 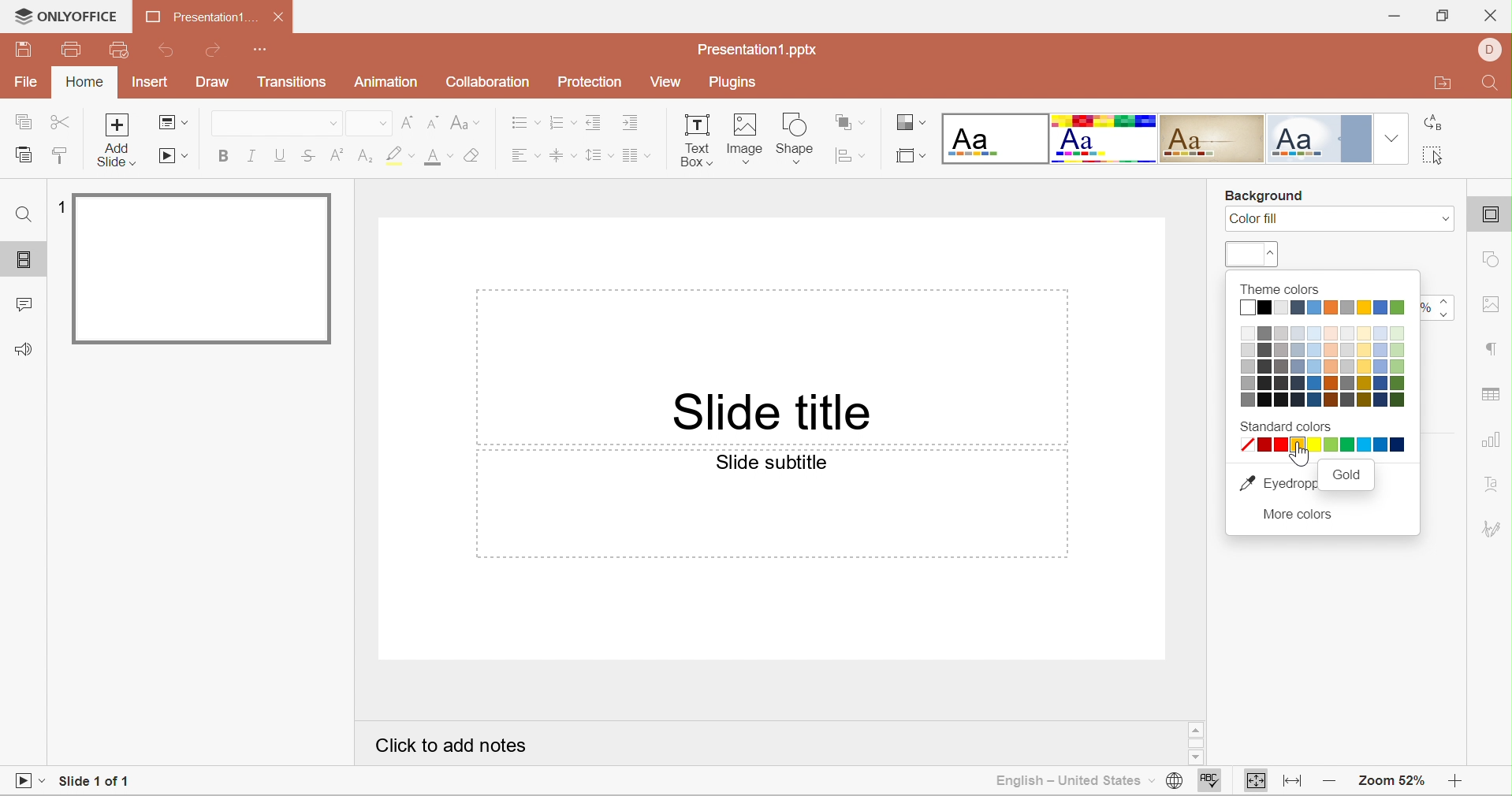 I want to click on Drop Down, so click(x=1391, y=136).